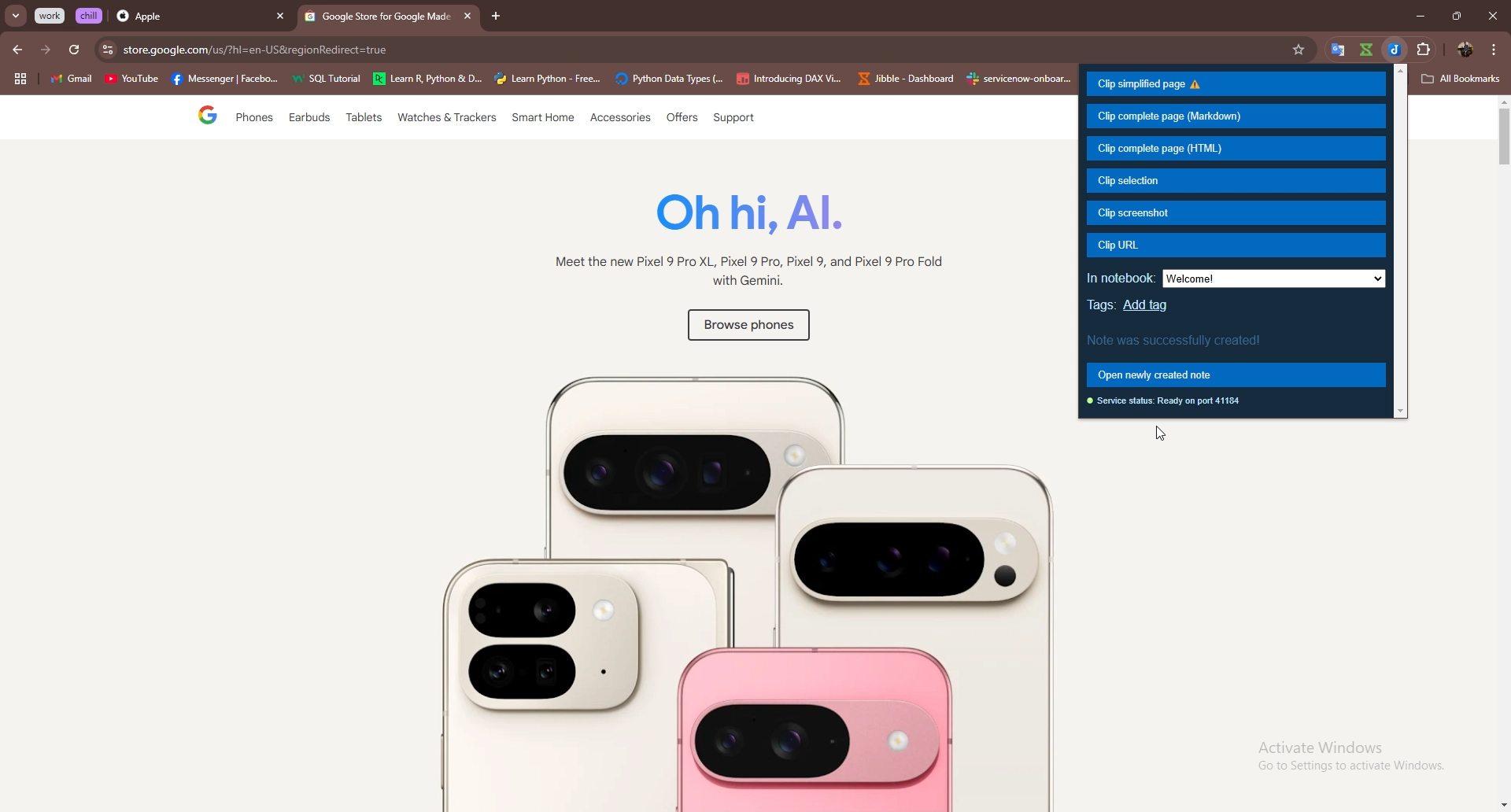 Image resolution: width=1511 pixels, height=812 pixels. What do you see at coordinates (1456, 16) in the screenshot?
I see `resize` at bounding box center [1456, 16].